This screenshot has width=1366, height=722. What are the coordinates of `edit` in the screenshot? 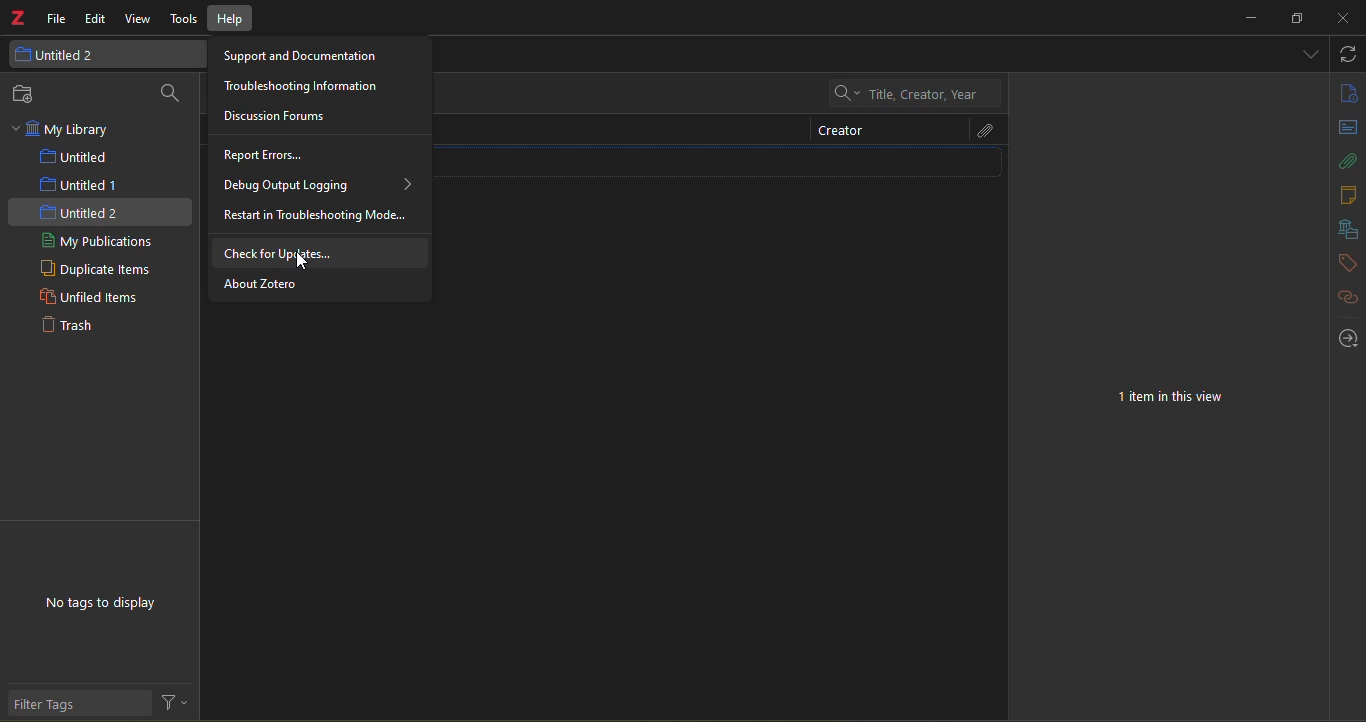 It's located at (95, 18).